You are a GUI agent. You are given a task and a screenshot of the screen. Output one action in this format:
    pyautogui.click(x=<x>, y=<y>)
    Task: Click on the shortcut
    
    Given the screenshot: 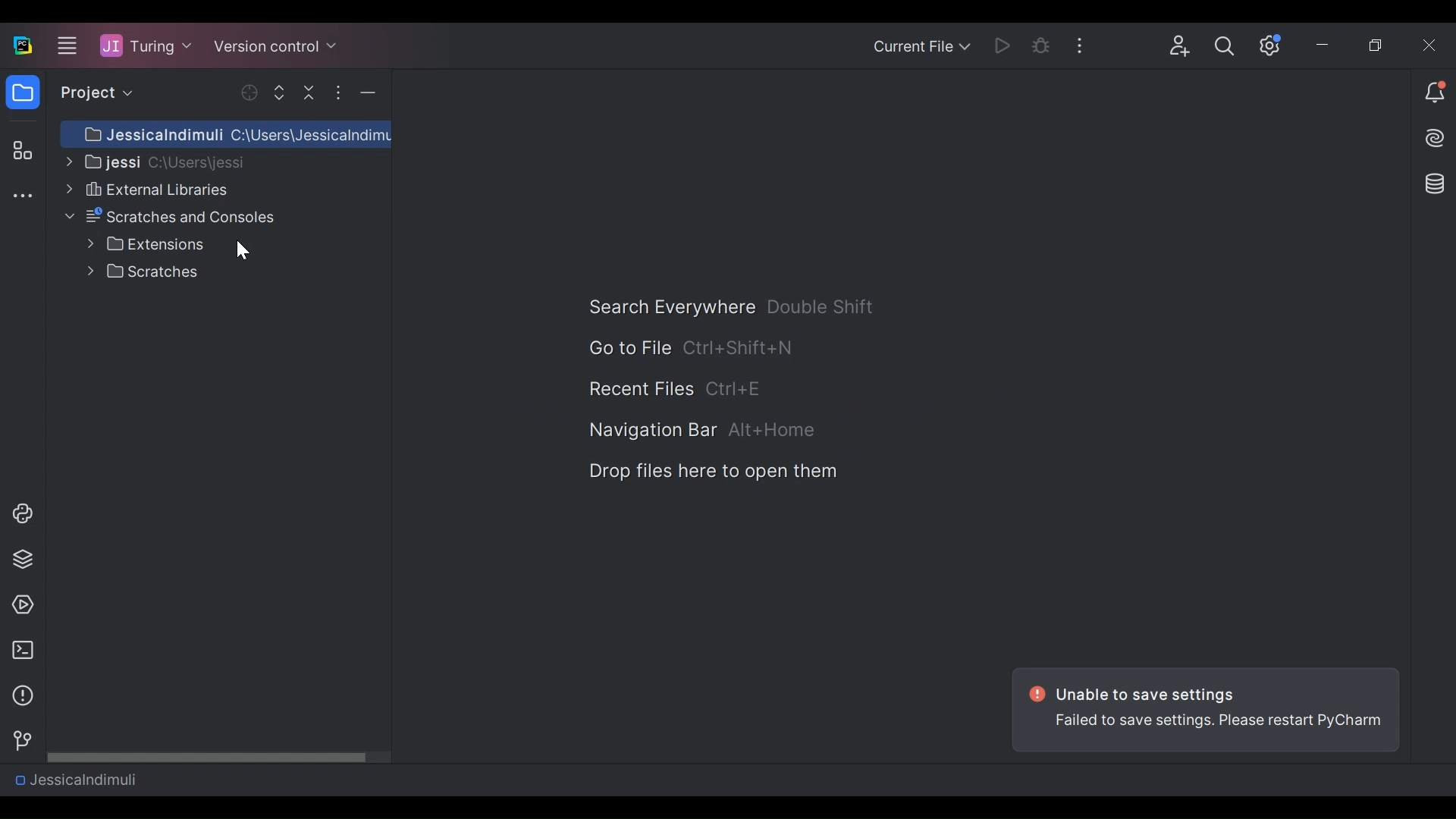 What is the action you would take?
    pyautogui.click(x=773, y=431)
    